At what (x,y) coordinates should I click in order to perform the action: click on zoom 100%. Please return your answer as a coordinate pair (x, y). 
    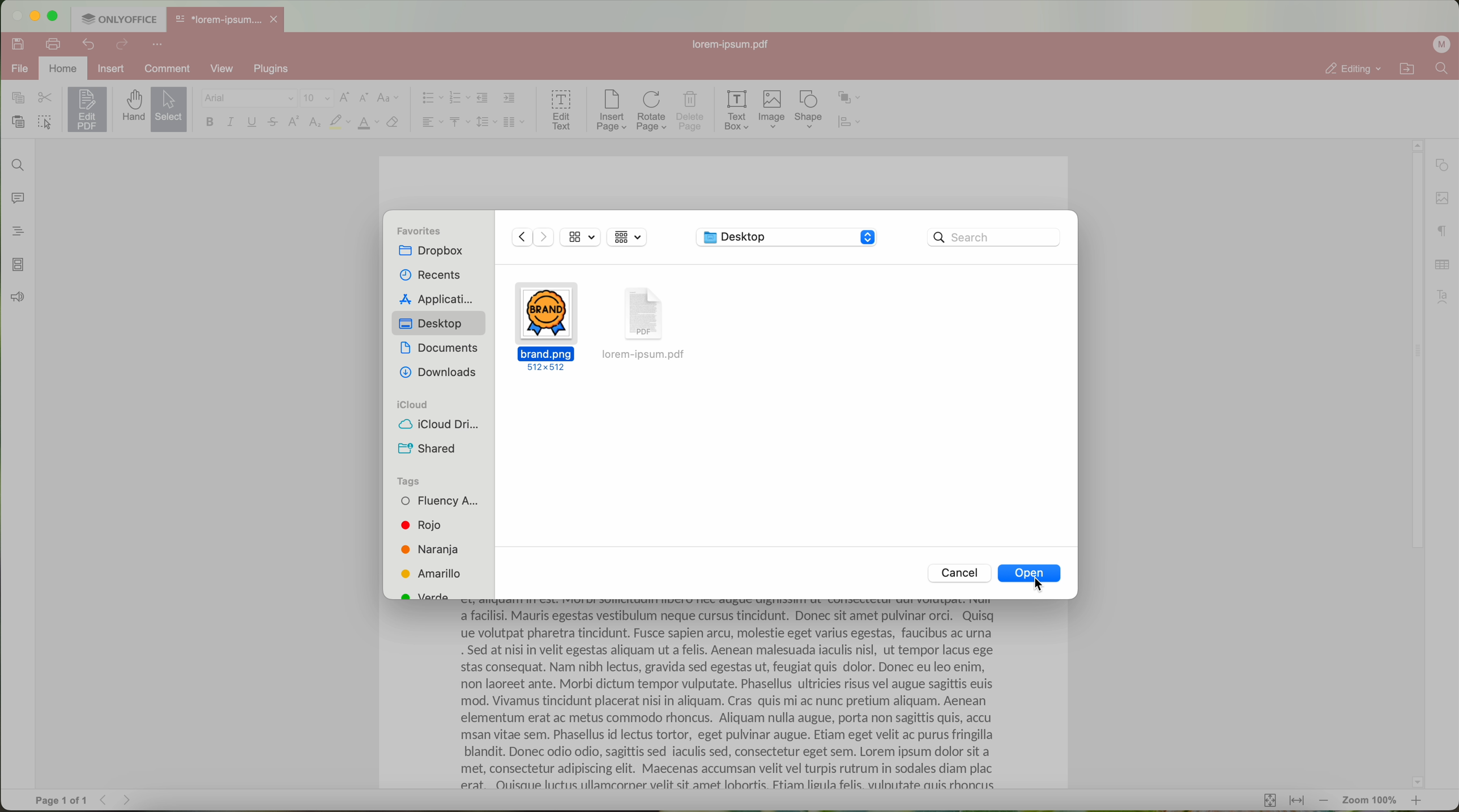
    Looking at the image, I should click on (1371, 802).